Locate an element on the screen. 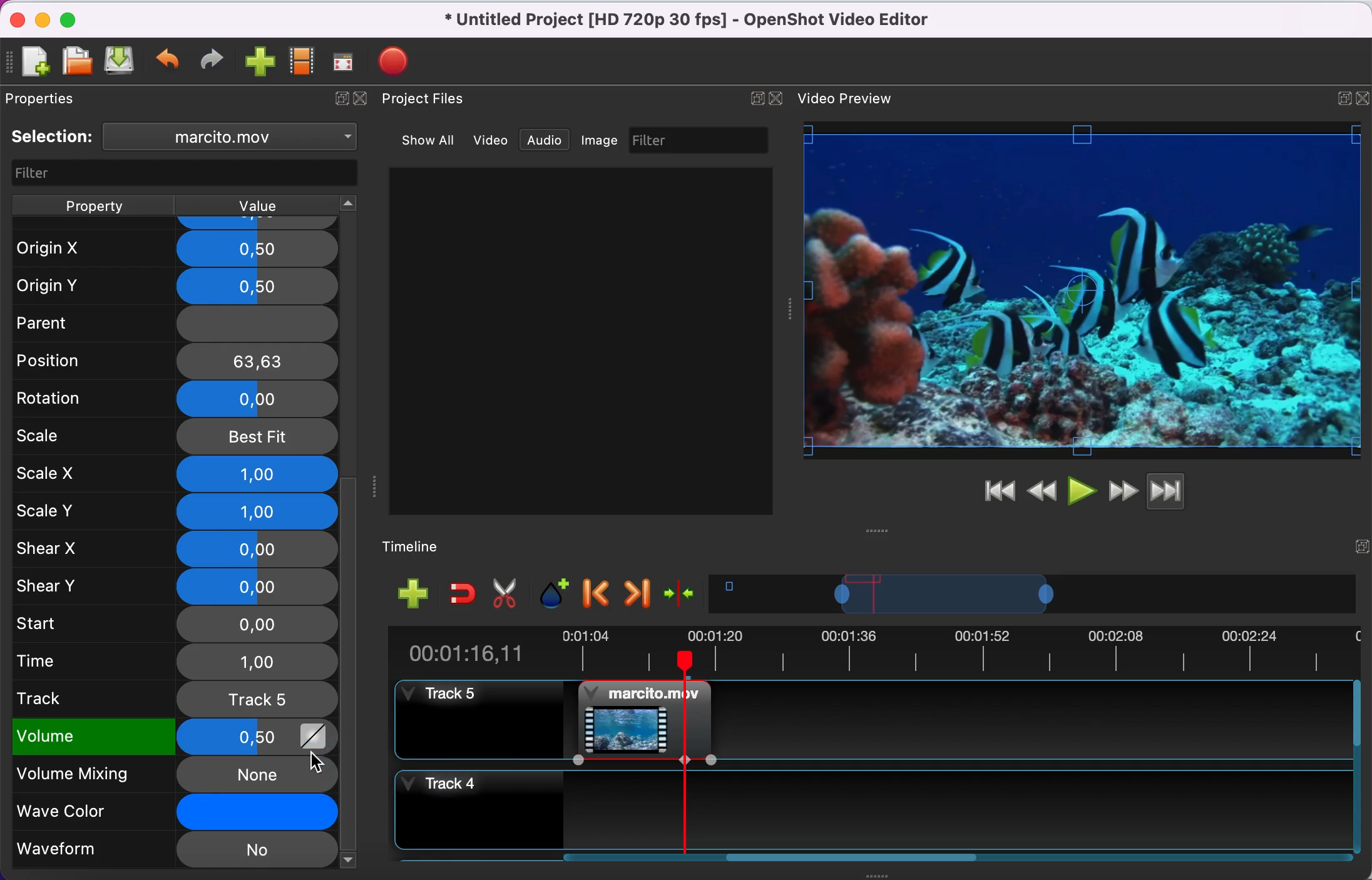 This screenshot has height=880, width=1372. cursor is located at coordinates (315, 762).